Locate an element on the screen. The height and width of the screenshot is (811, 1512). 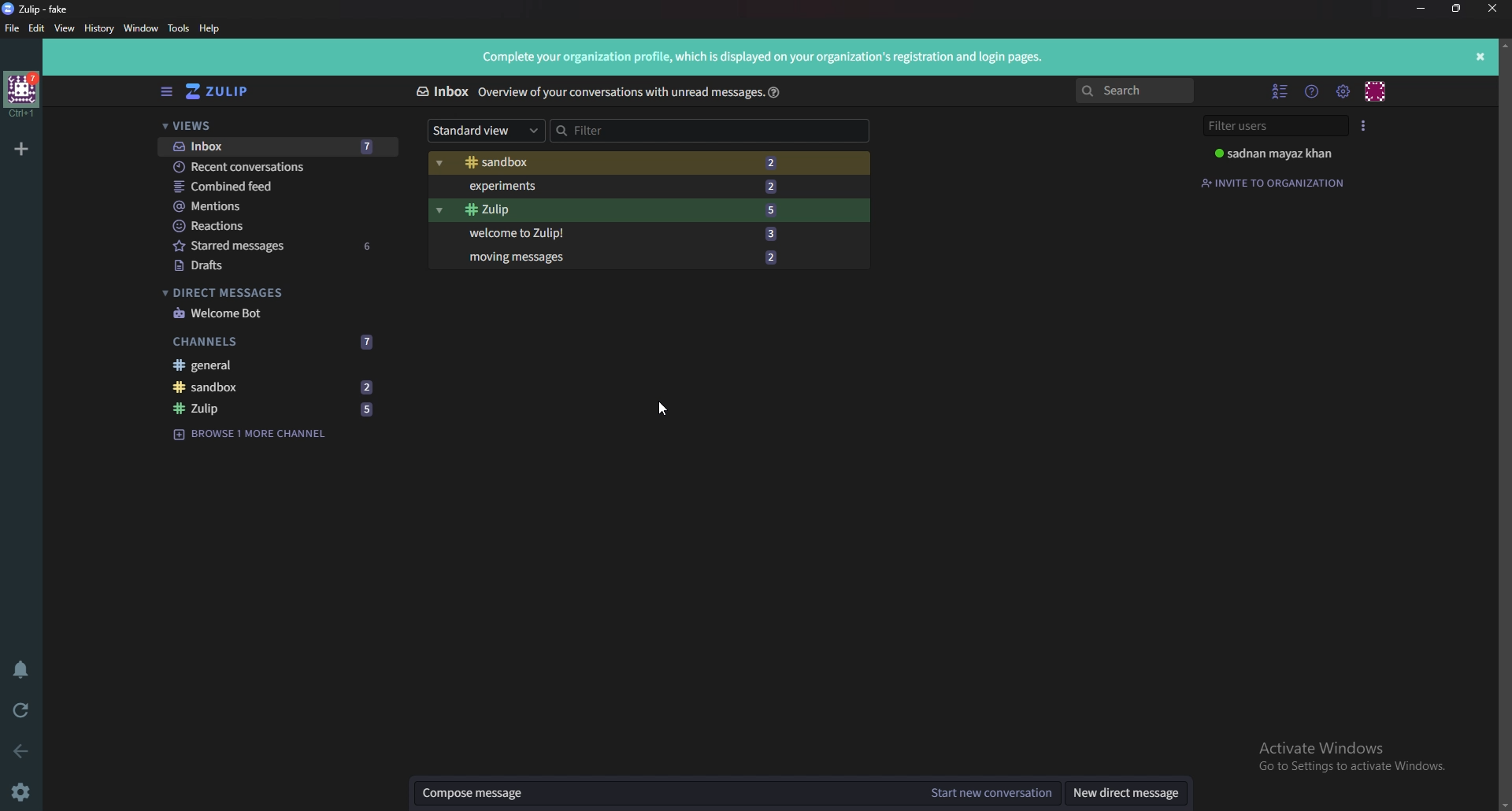
Inbox is located at coordinates (276, 146).